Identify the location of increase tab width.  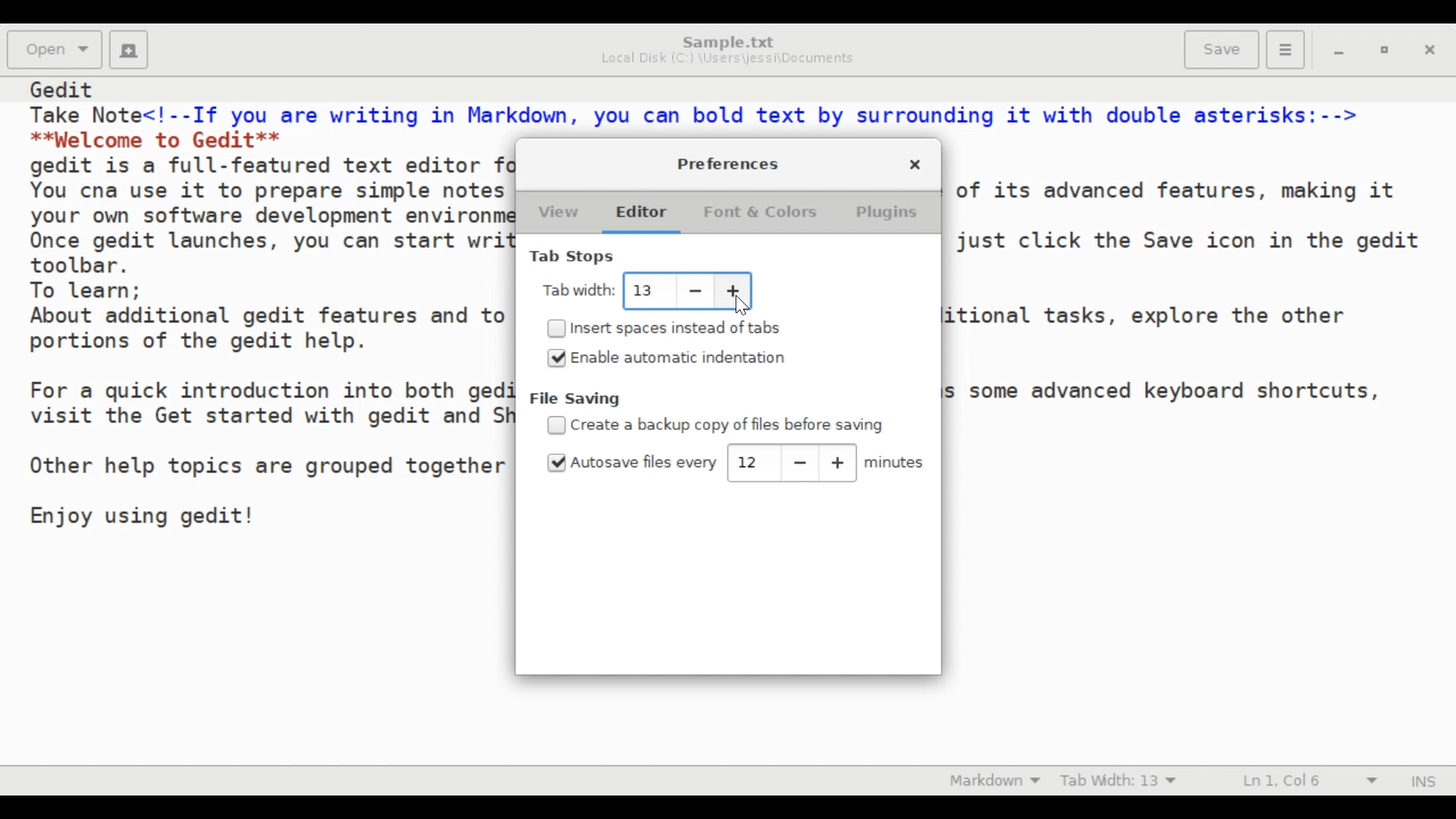
(732, 290).